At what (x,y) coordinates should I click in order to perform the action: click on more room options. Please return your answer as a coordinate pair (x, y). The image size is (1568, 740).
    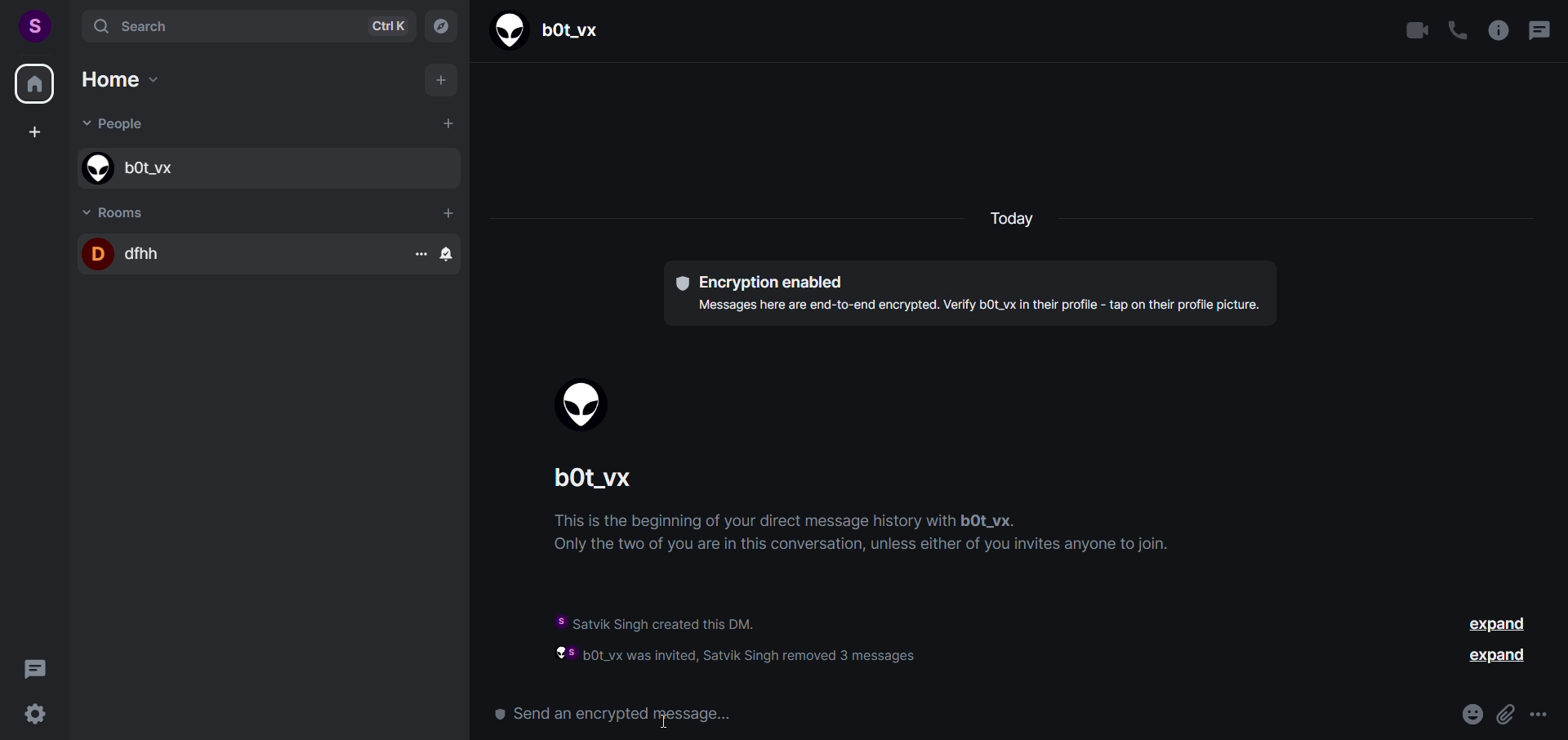
    Looking at the image, I should click on (420, 252).